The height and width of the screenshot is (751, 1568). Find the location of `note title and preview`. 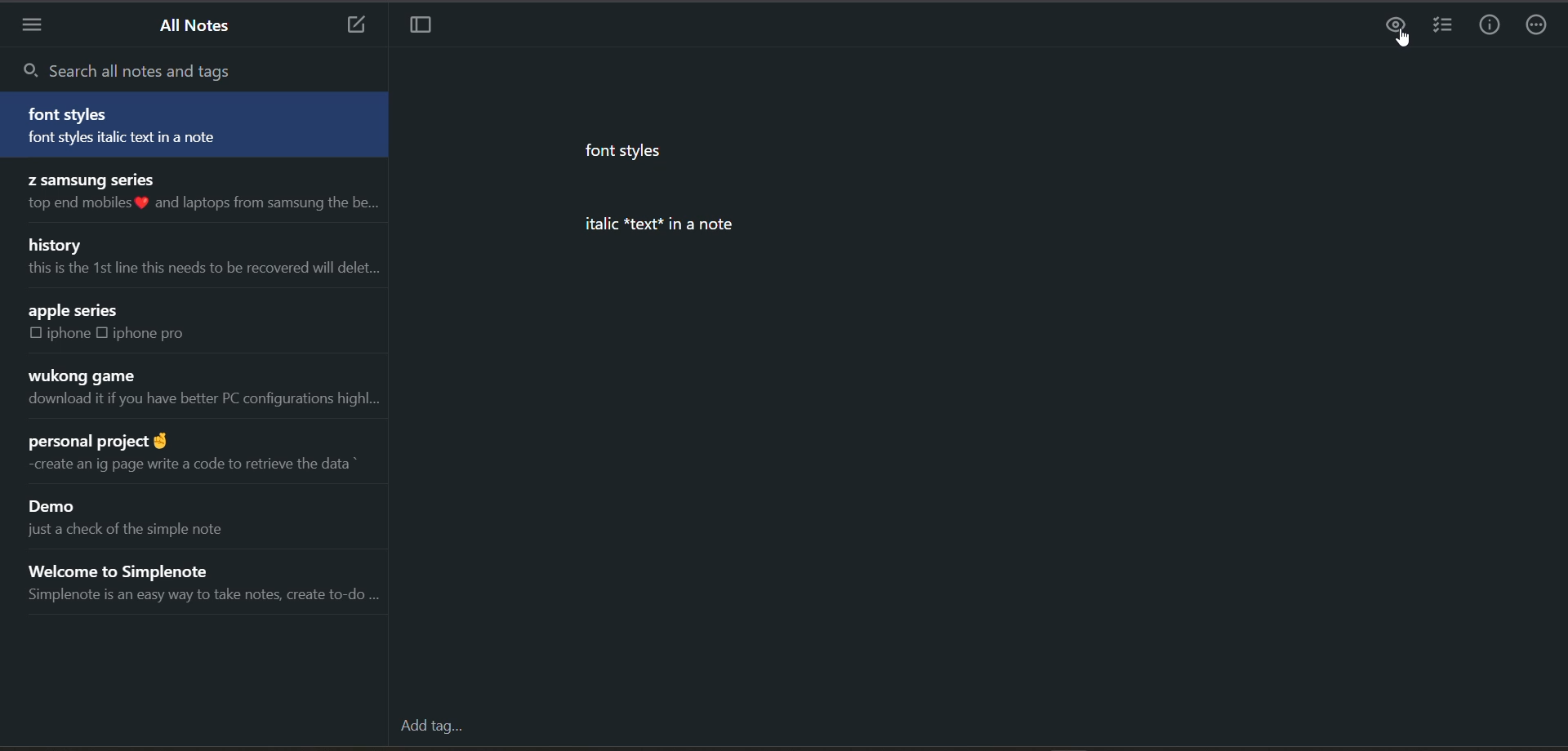

note title and preview is located at coordinates (197, 457).